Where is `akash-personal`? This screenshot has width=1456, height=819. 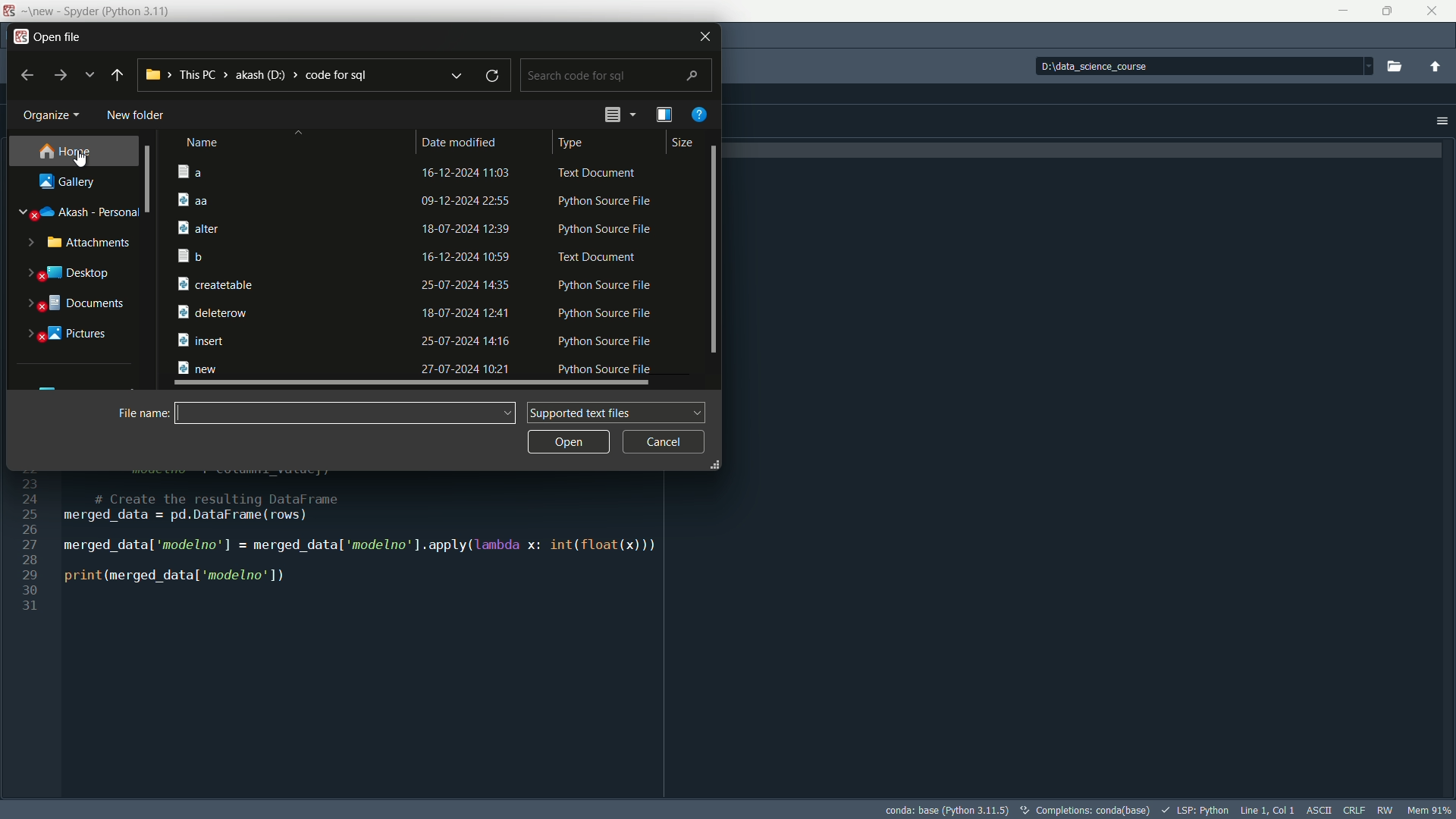 akash-personal is located at coordinates (89, 212).